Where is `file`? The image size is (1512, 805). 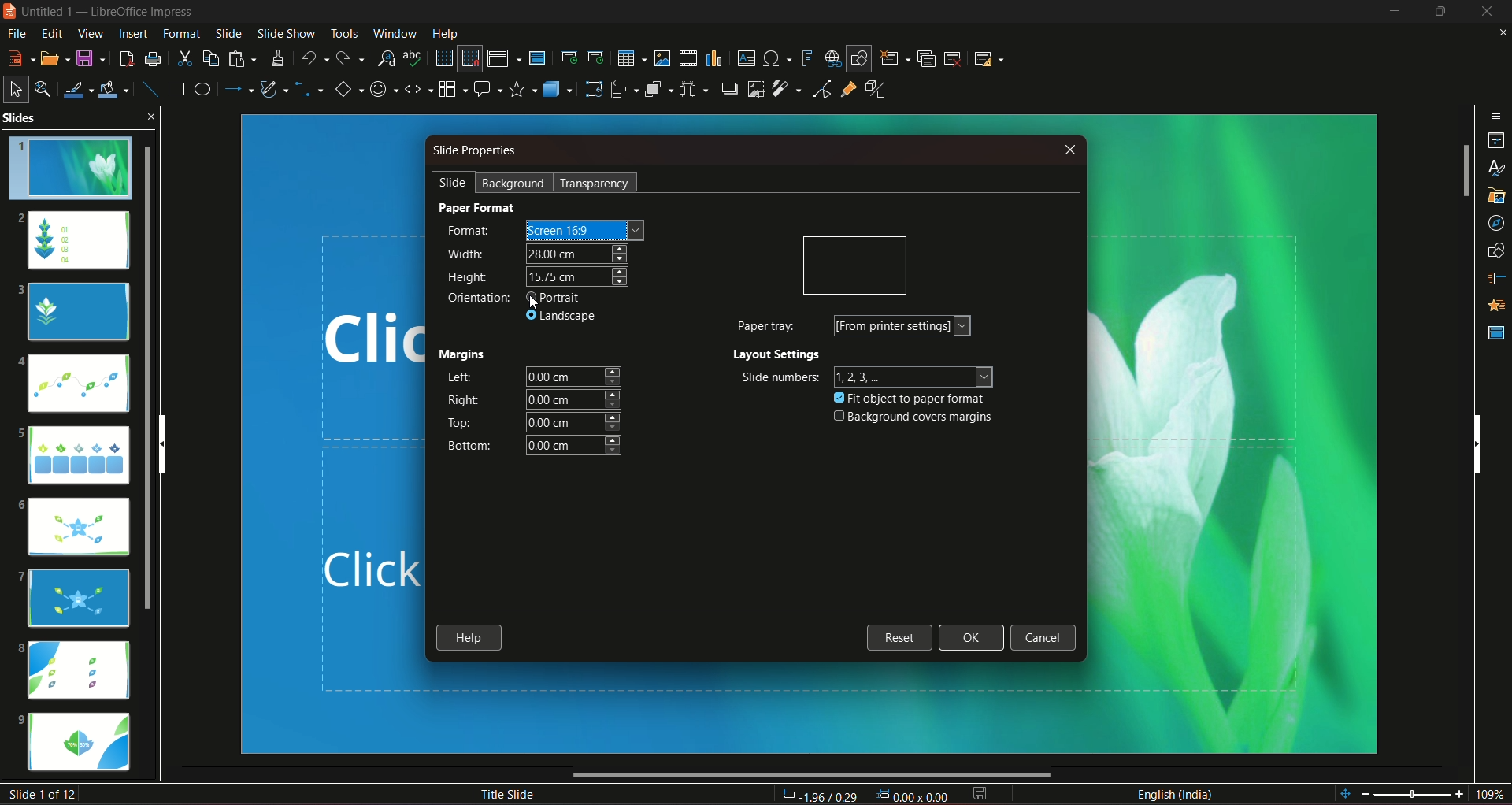 file is located at coordinates (18, 33).